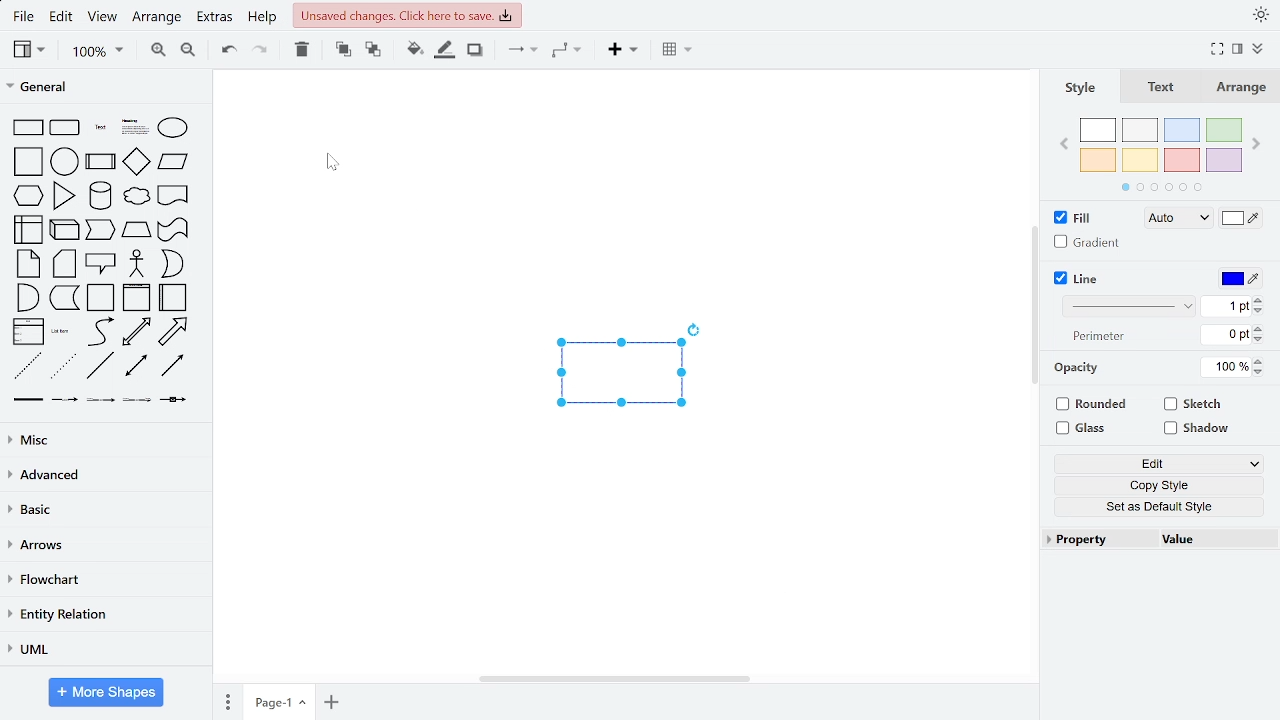 Image resolution: width=1280 pixels, height=720 pixels. I want to click on fill, so click(1070, 219).